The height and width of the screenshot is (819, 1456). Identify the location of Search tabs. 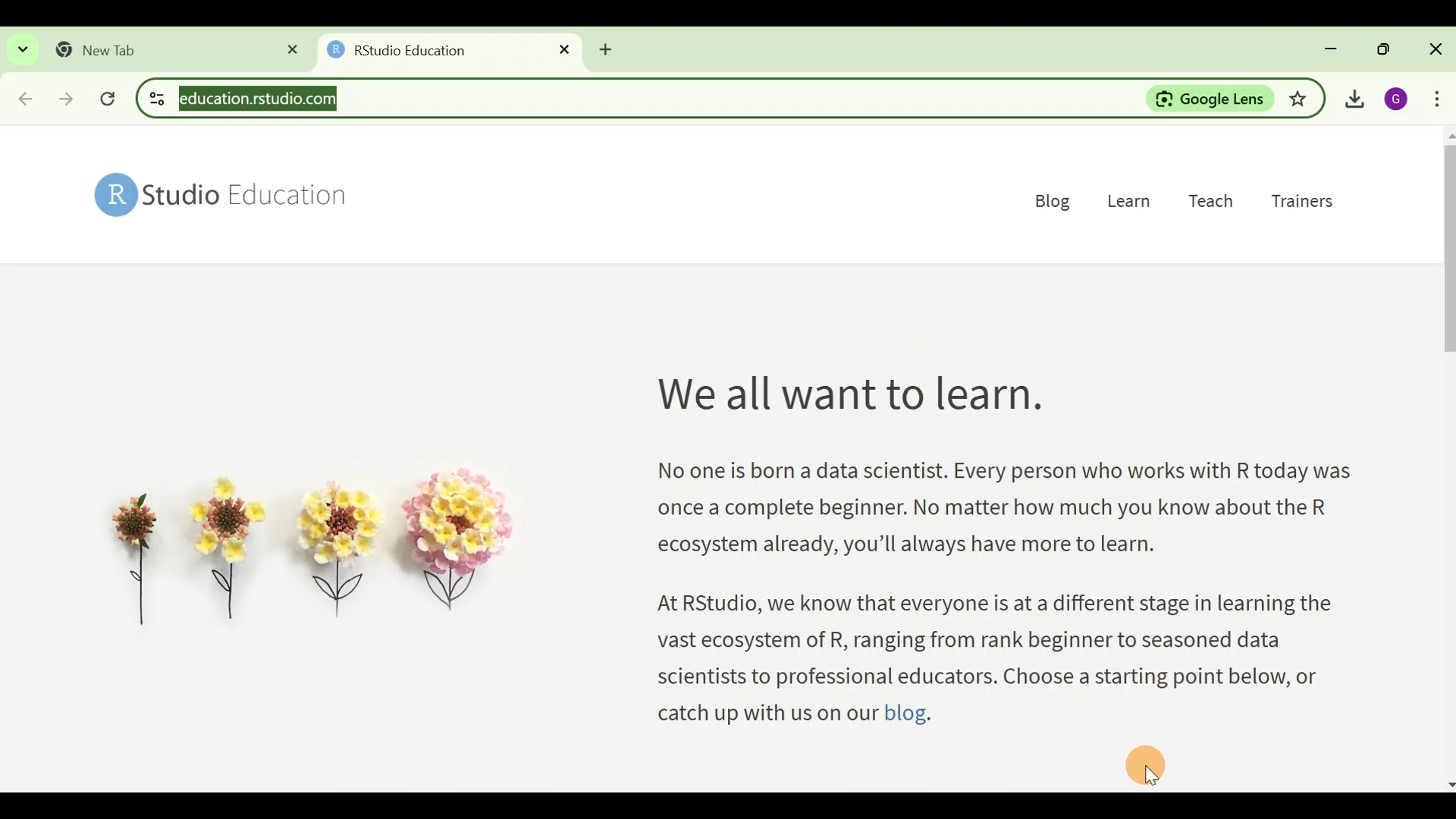
(23, 49).